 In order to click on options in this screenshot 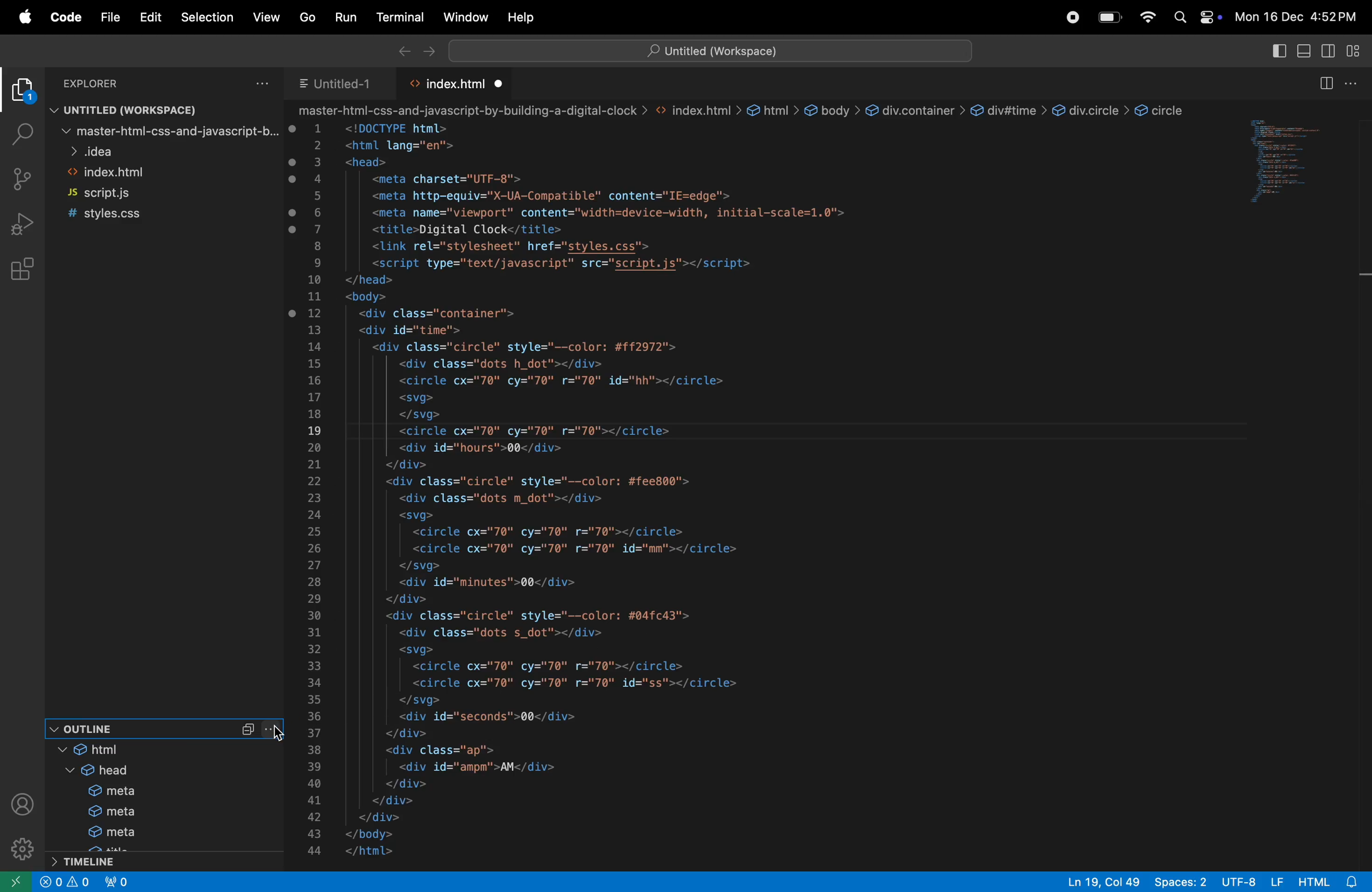, I will do `click(252, 84)`.